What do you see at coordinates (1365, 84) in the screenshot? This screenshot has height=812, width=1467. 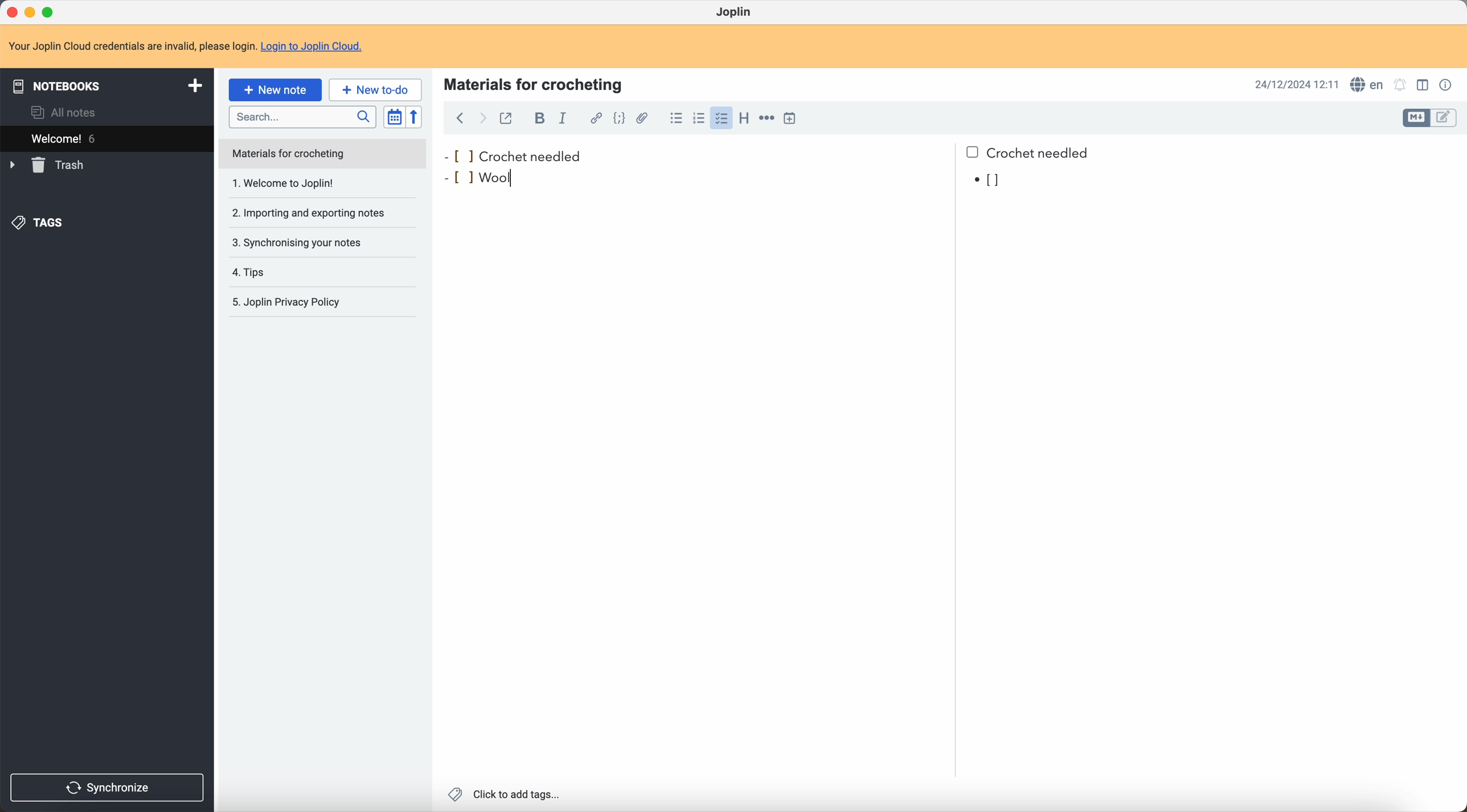 I see `spell checker` at bounding box center [1365, 84].